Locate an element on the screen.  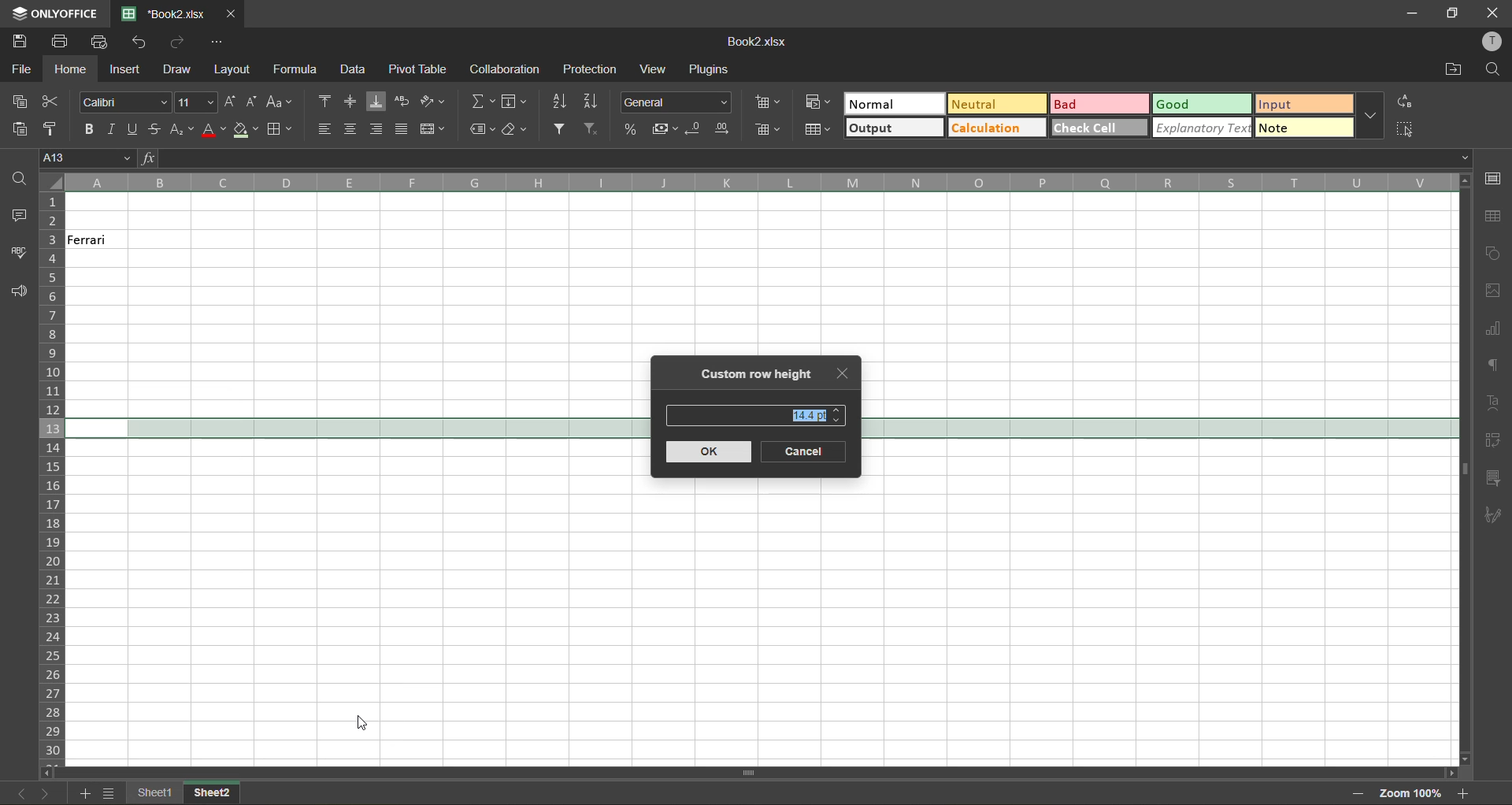
font size is located at coordinates (196, 102).